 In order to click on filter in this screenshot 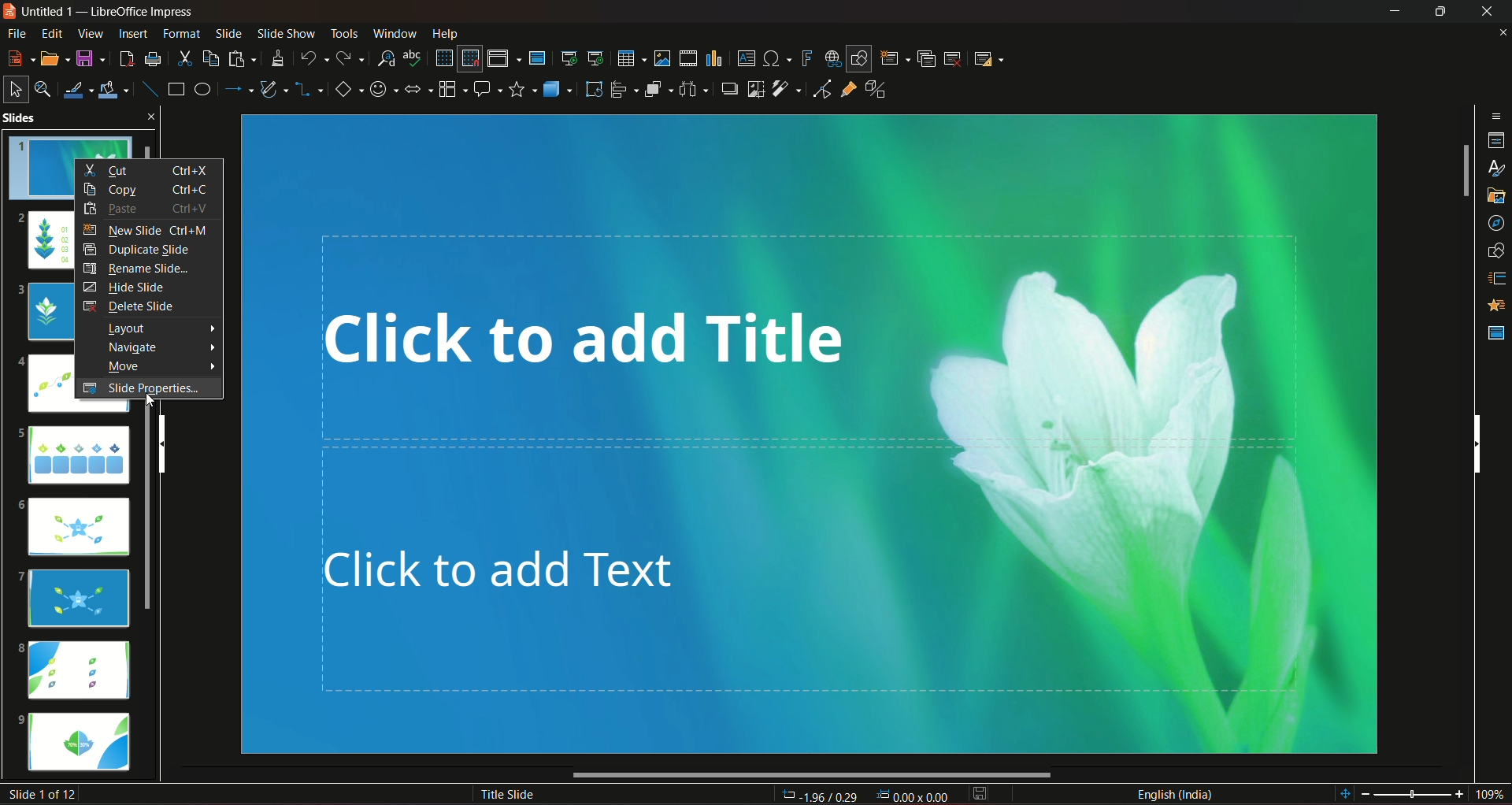, I will do `click(785, 89)`.